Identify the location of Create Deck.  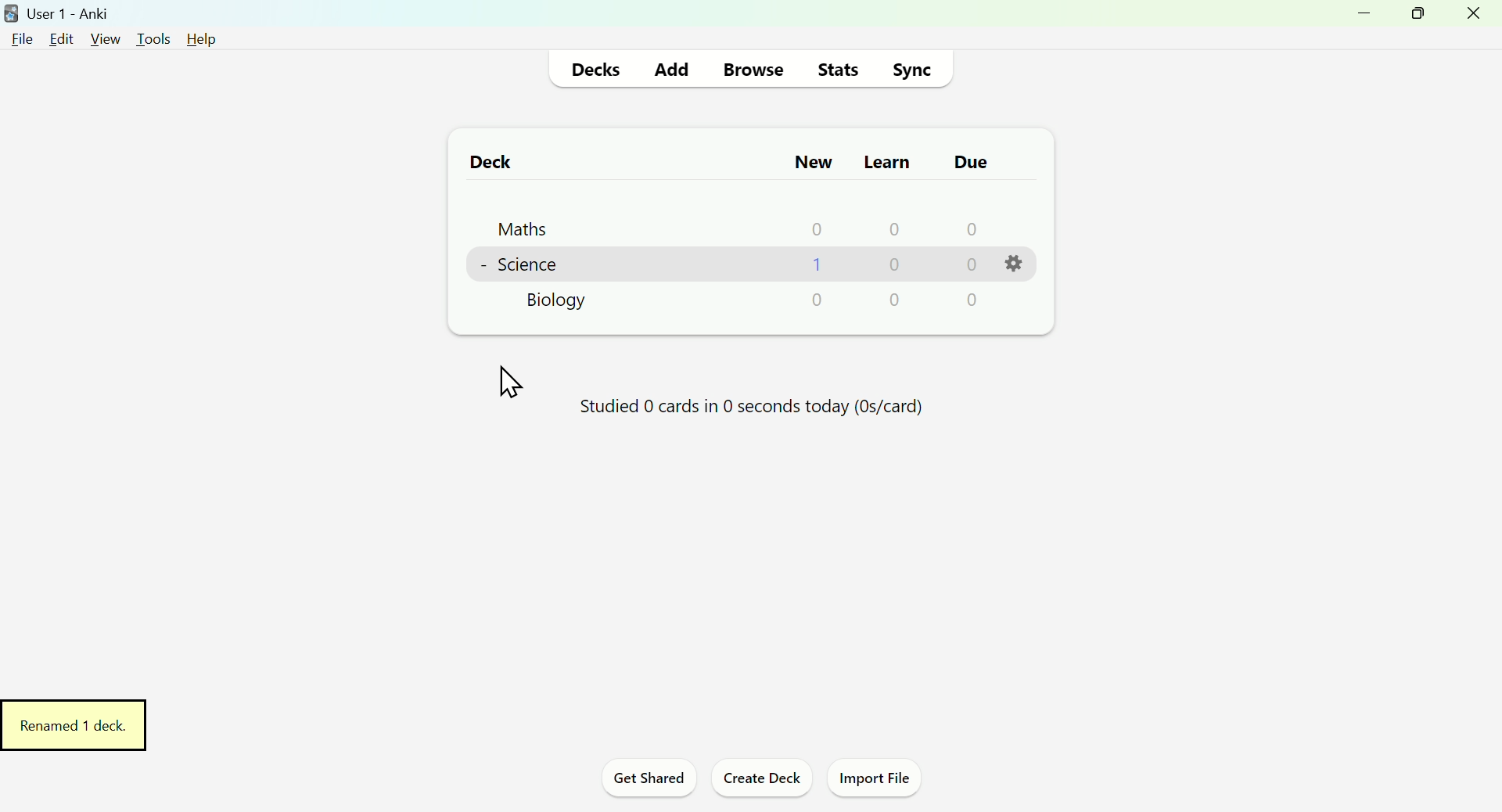
(761, 781).